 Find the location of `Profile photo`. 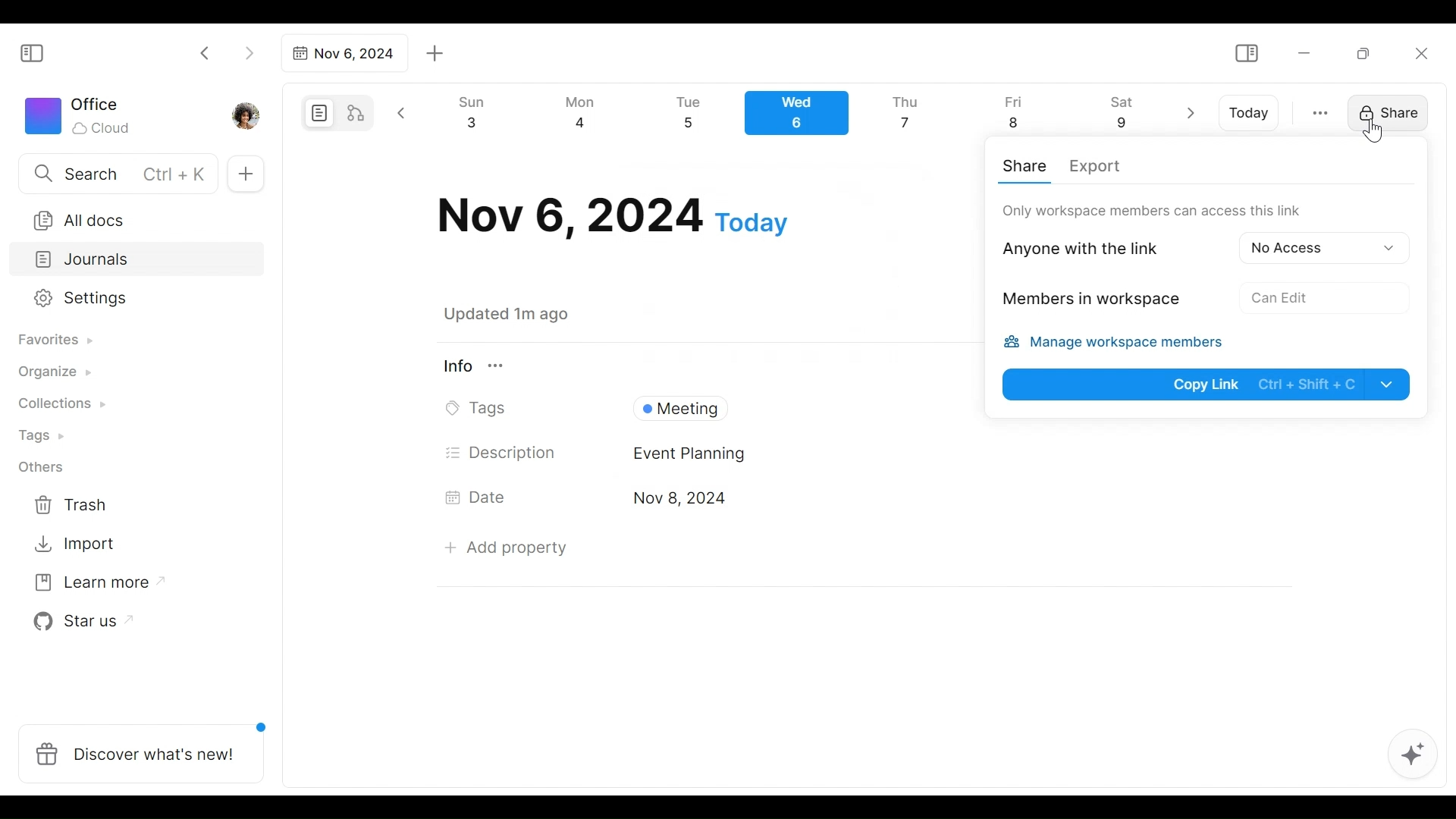

Profile photo is located at coordinates (247, 112).